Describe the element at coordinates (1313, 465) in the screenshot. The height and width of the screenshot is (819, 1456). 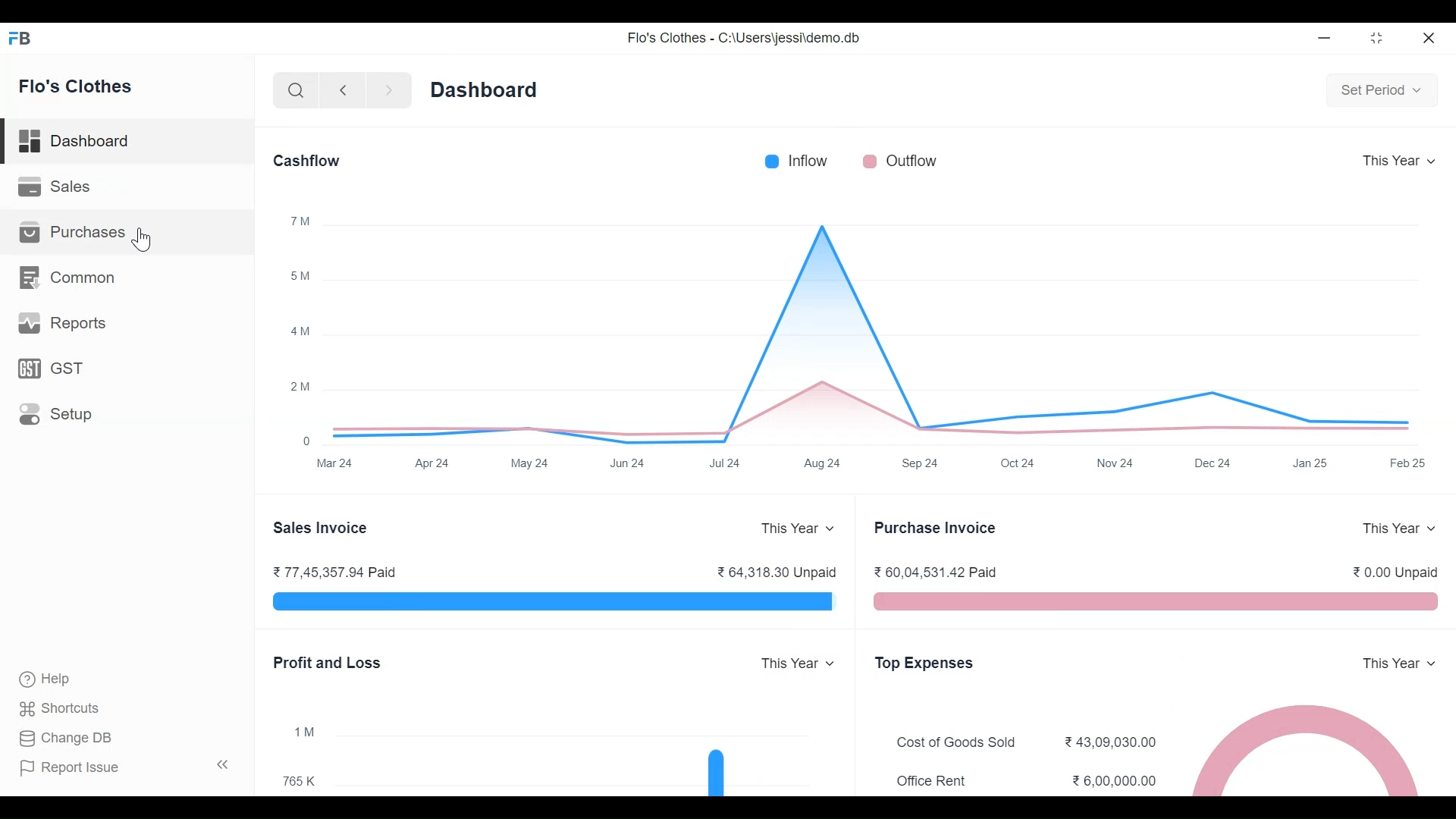
I see `Jan 25` at that location.